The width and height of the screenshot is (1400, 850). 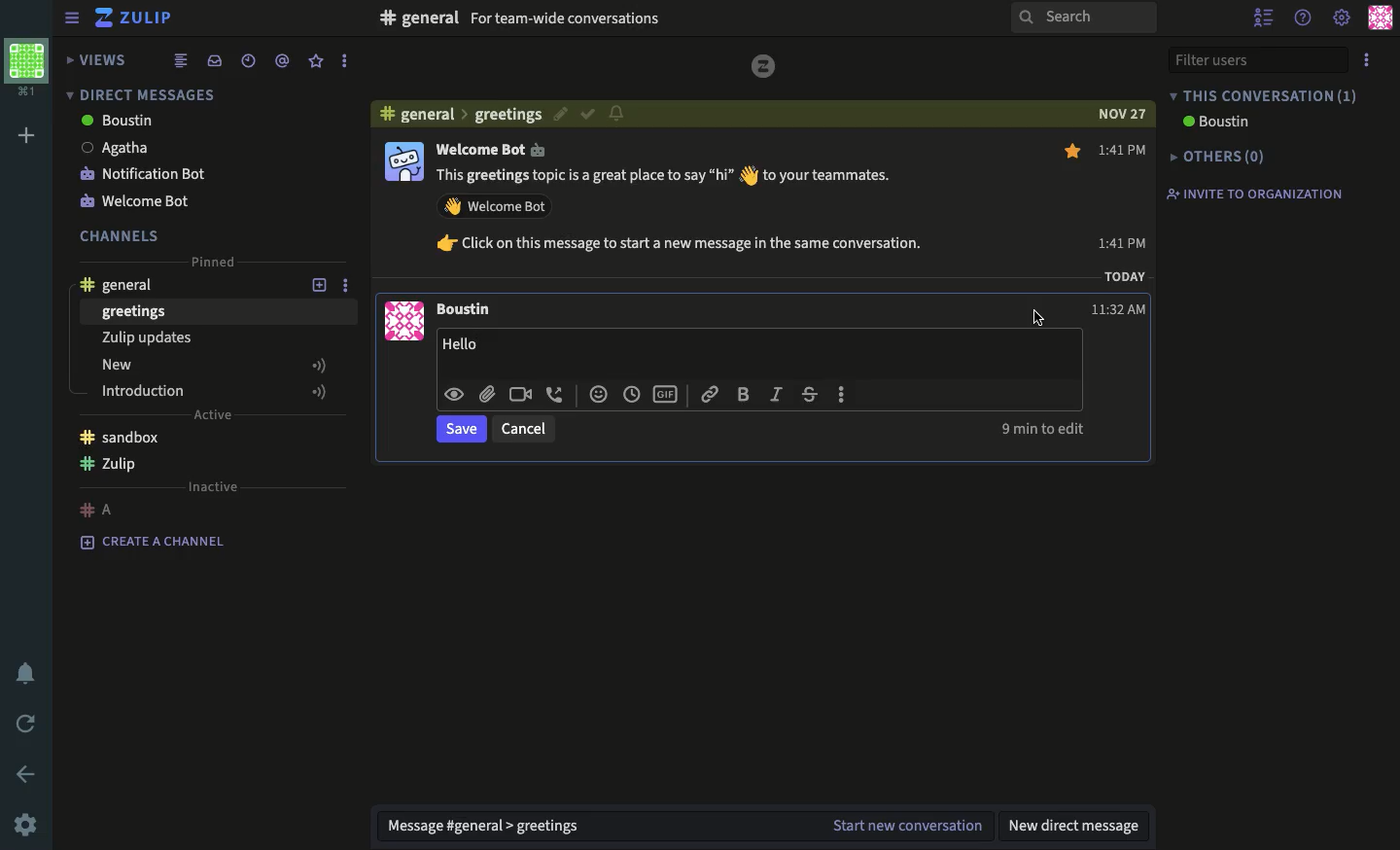 I want to click on time, so click(x=631, y=393).